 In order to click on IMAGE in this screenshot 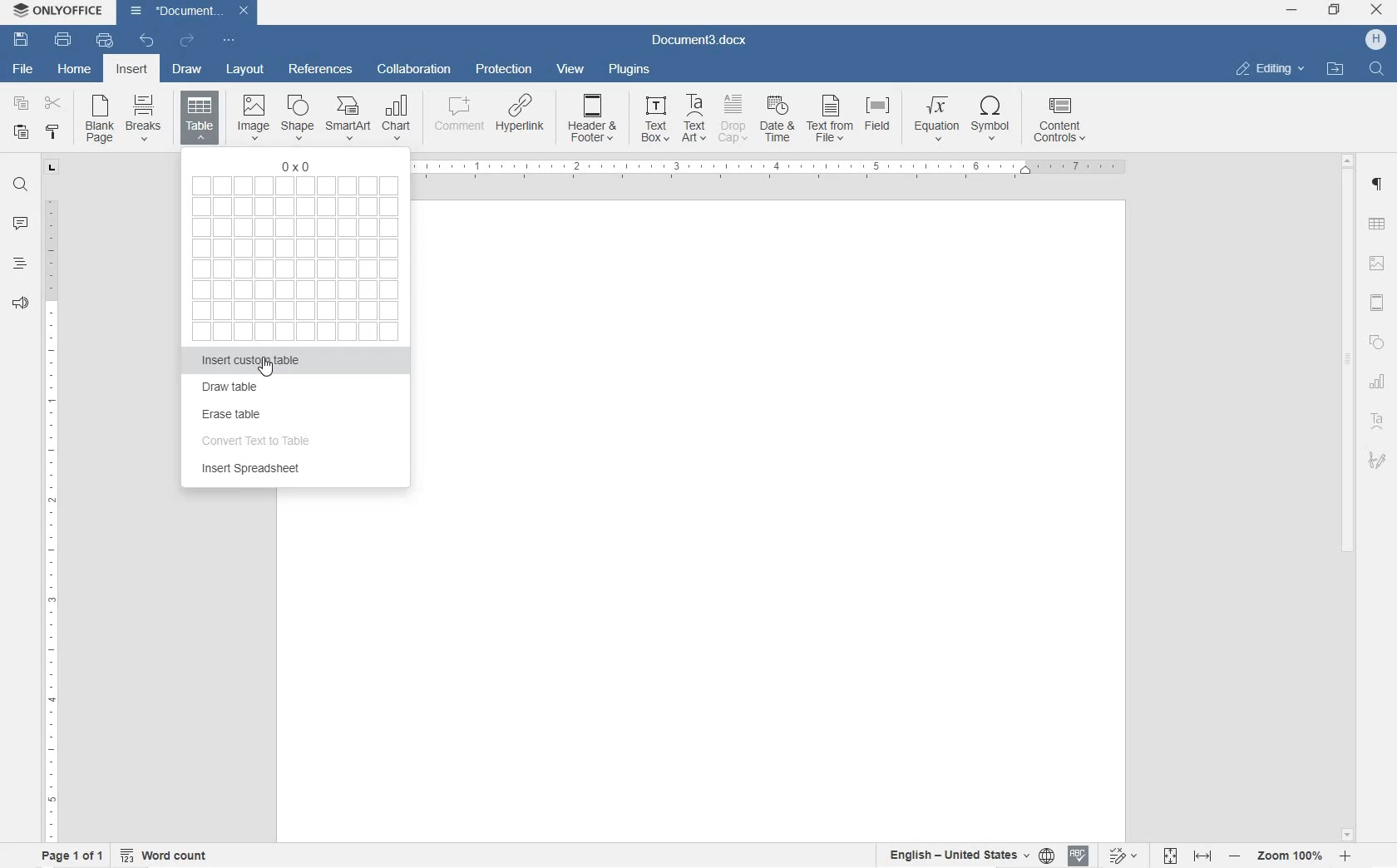, I will do `click(1379, 264)`.